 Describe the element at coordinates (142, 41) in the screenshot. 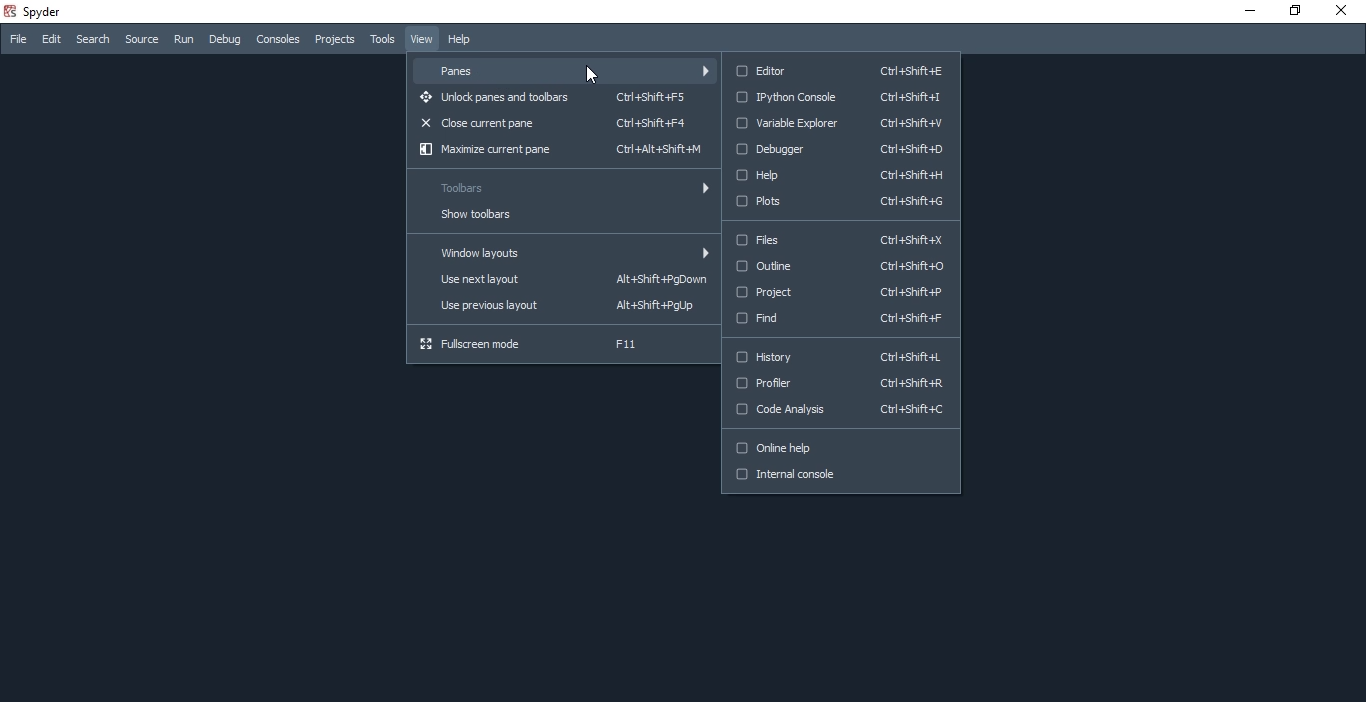

I see `source` at that location.